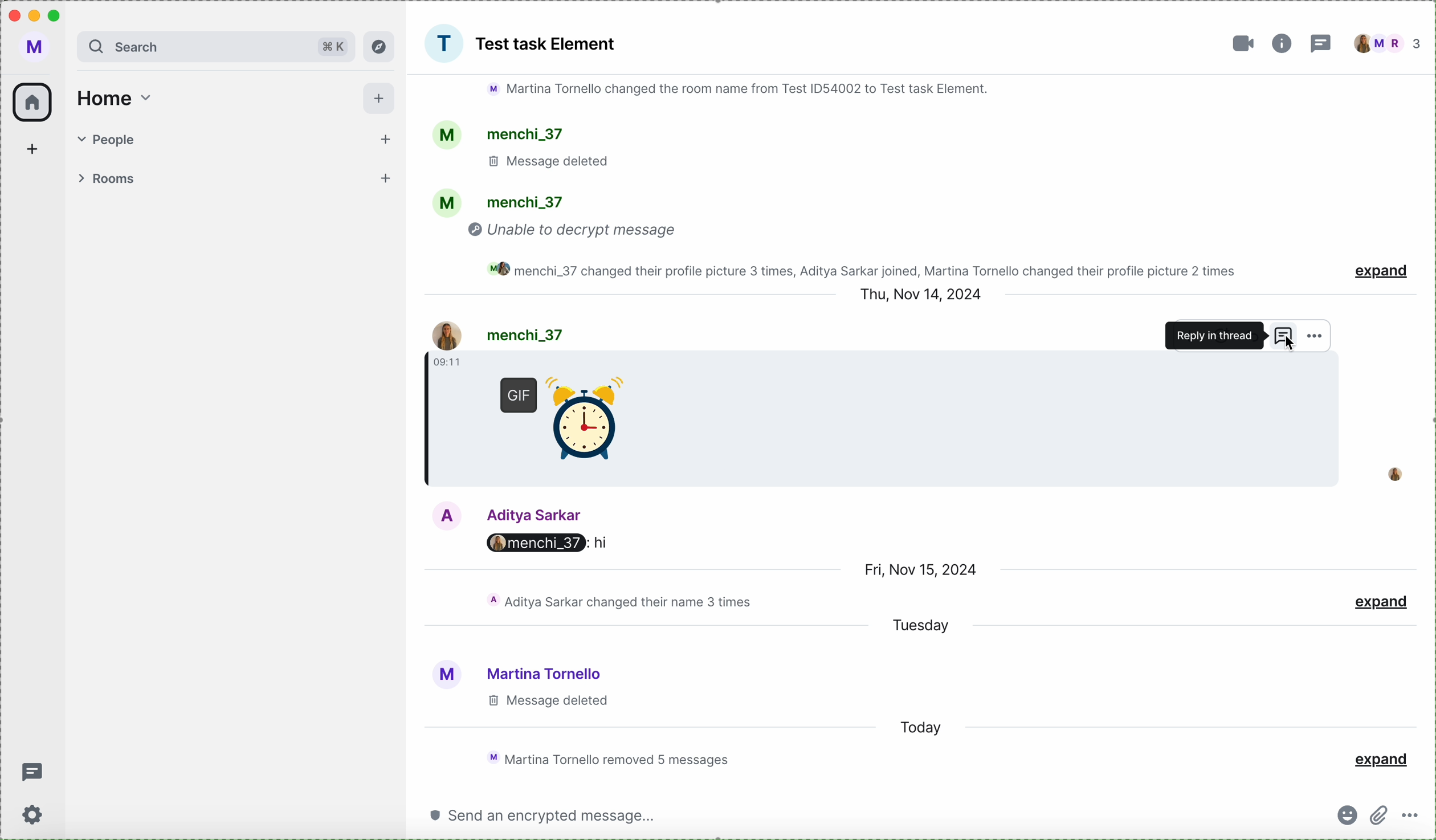  I want to click on threads, so click(1320, 46).